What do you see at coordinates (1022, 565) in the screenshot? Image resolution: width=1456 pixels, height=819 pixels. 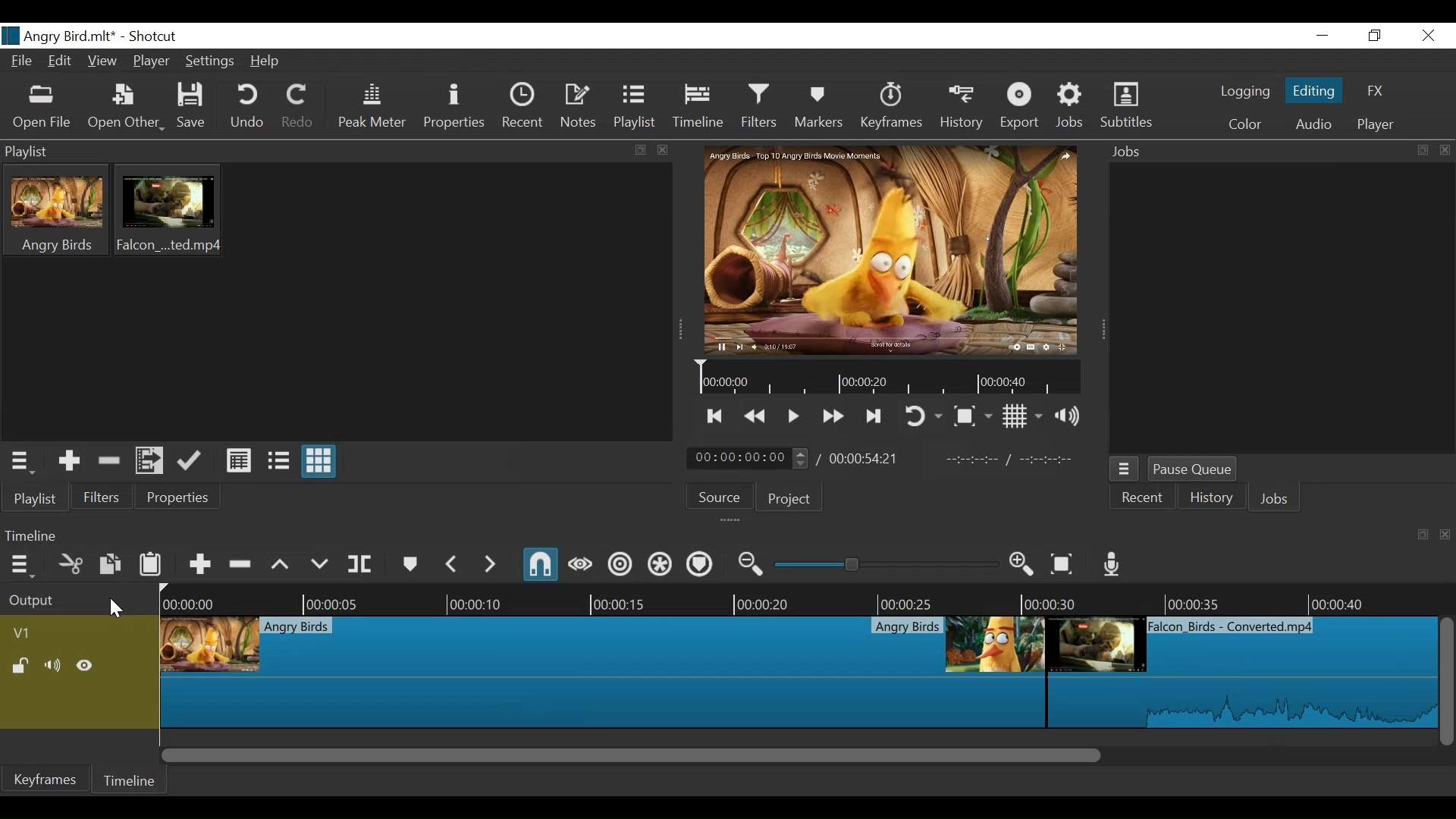 I see `Zoom timeline in` at bounding box center [1022, 565].